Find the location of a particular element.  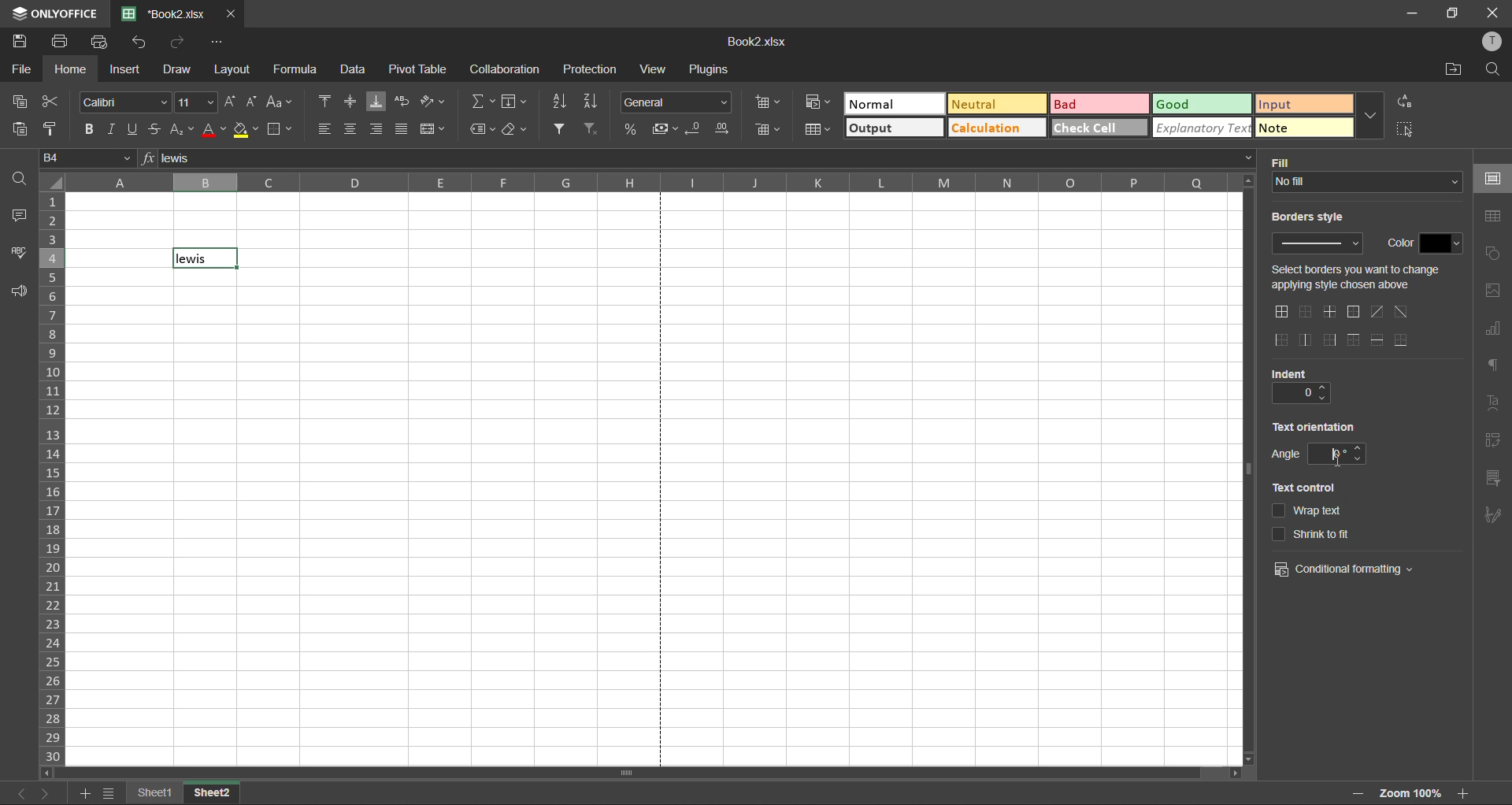

slicer is located at coordinates (1496, 480).